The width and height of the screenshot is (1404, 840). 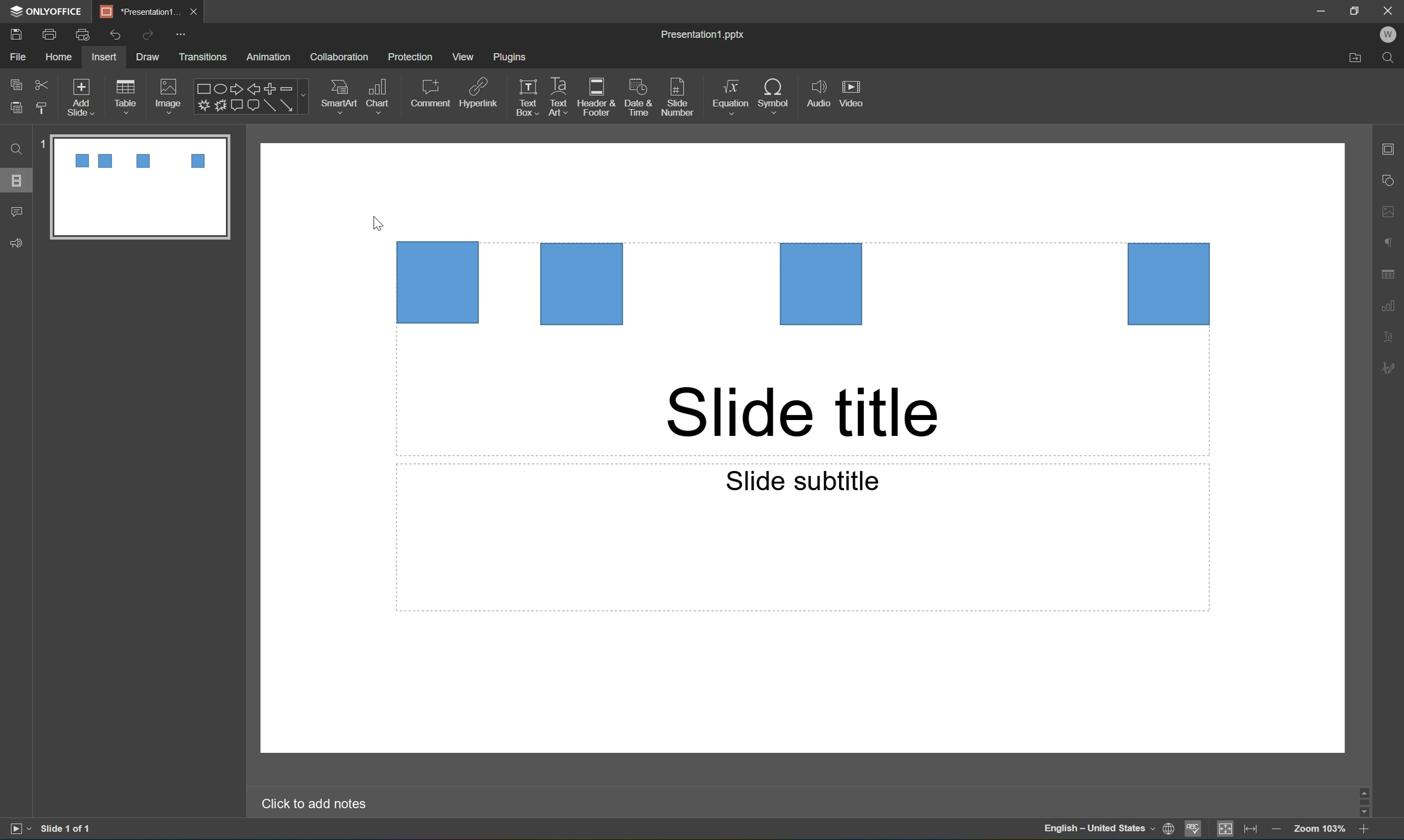 What do you see at coordinates (1277, 831) in the screenshot?
I see `zoom out` at bounding box center [1277, 831].